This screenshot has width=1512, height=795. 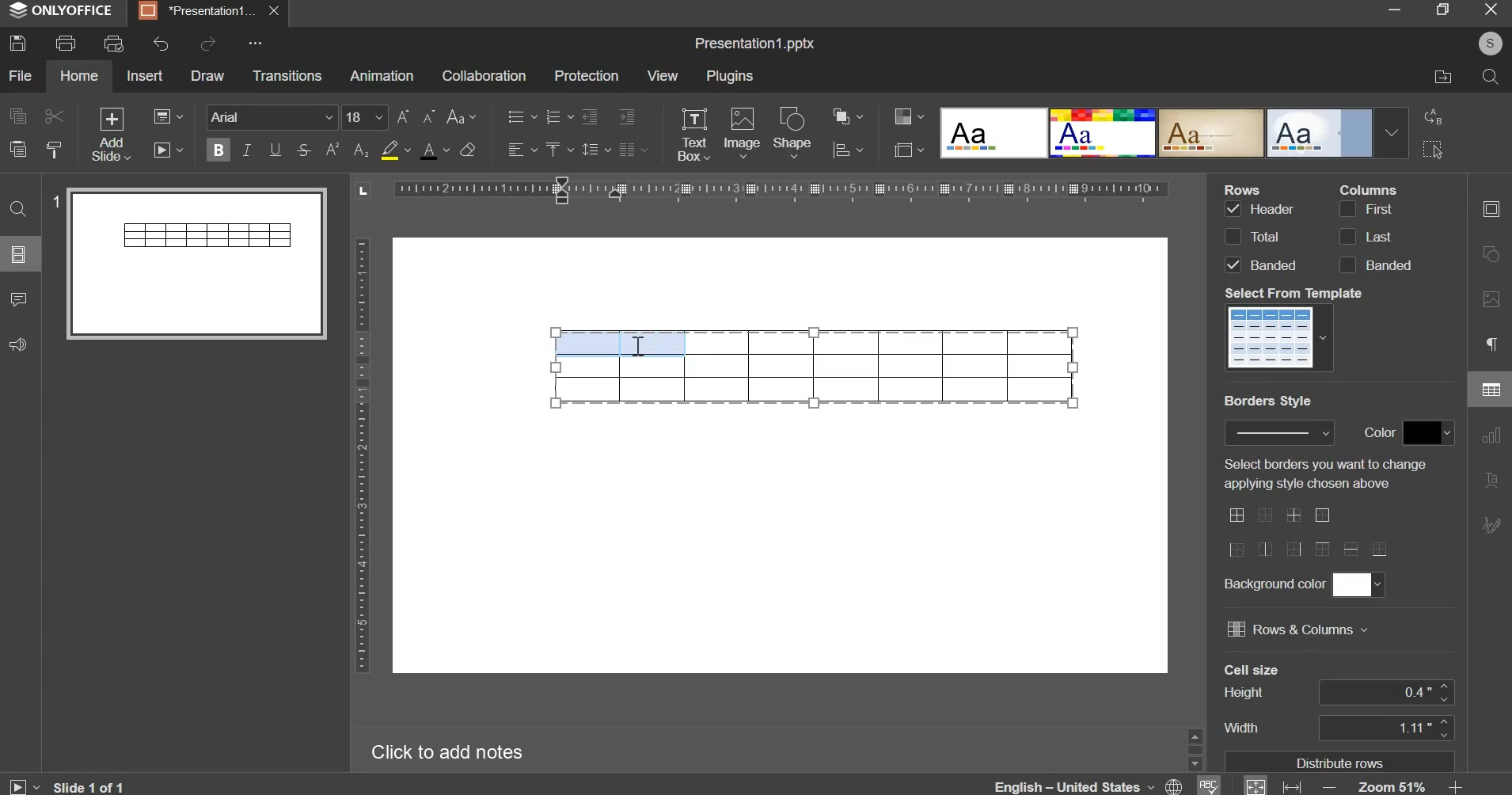 I want to click on animation, so click(x=381, y=75).